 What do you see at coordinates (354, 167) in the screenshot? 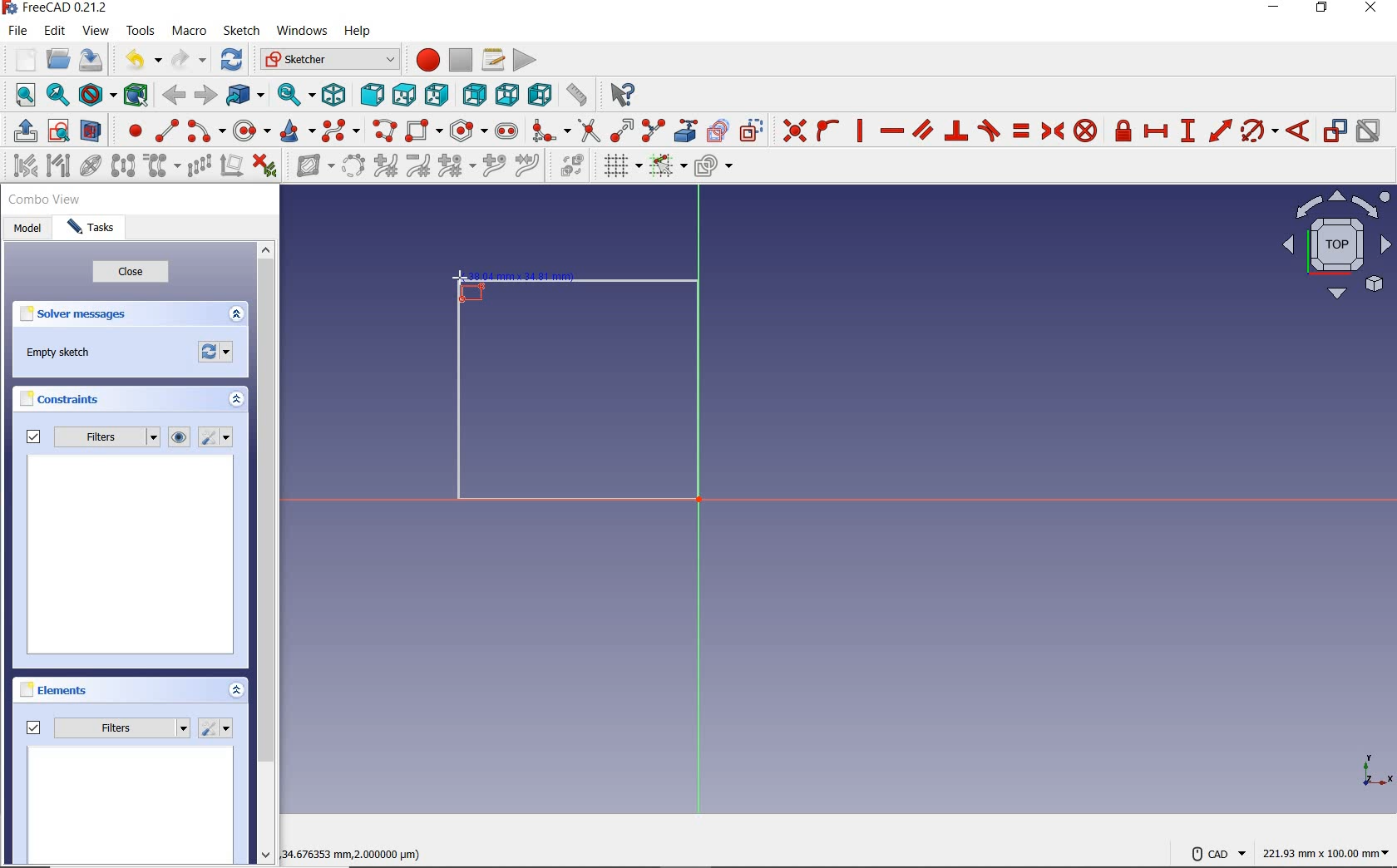
I see `convert geometry to B-Spline` at bounding box center [354, 167].